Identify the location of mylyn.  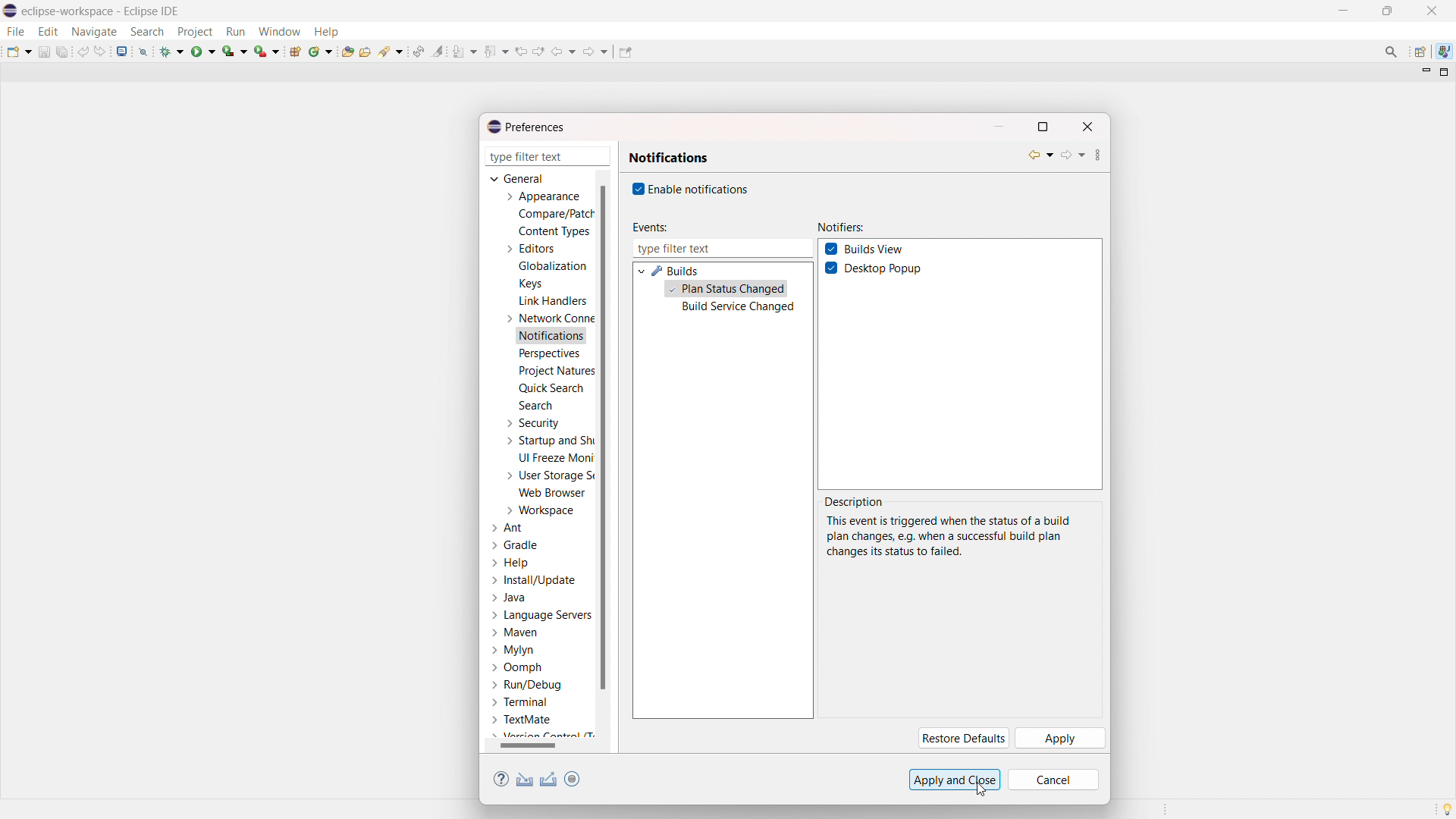
(513, 651).